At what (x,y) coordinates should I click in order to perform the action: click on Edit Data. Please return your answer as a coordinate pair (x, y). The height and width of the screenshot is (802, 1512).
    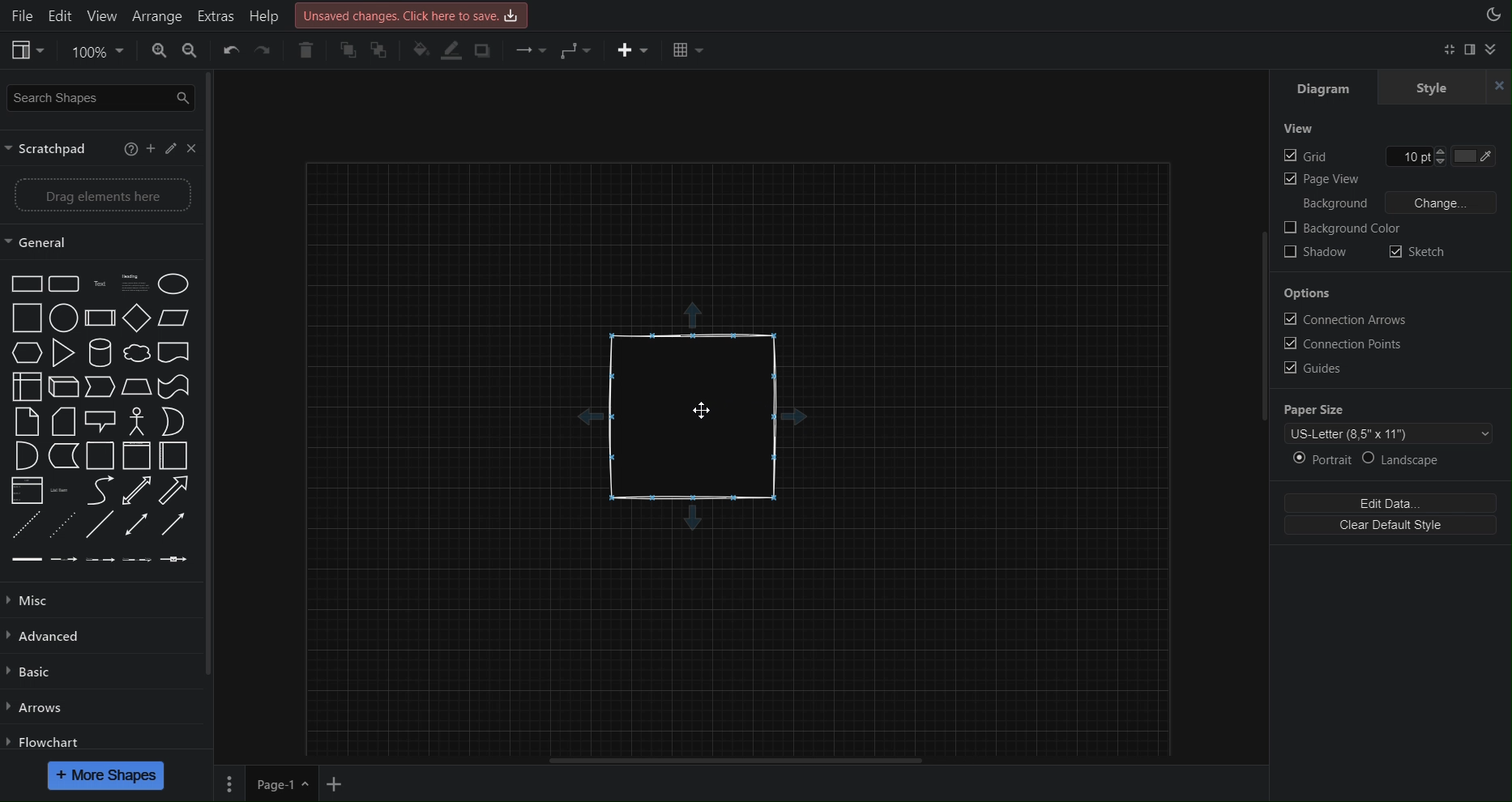
    Looking at the image, I should click on (1395, 501).